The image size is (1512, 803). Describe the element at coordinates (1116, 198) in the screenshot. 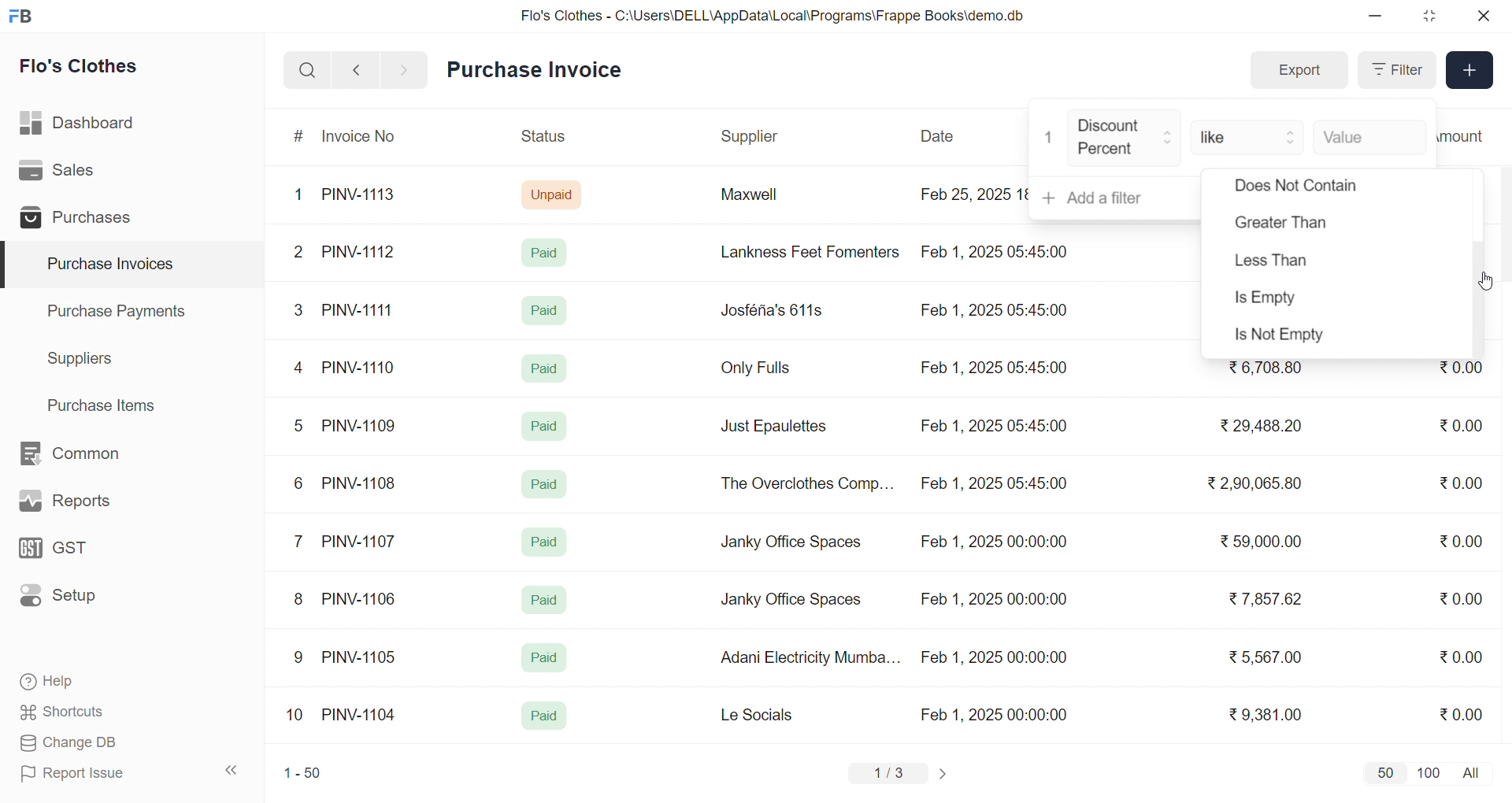

I see `+ Add a filter` at that location.